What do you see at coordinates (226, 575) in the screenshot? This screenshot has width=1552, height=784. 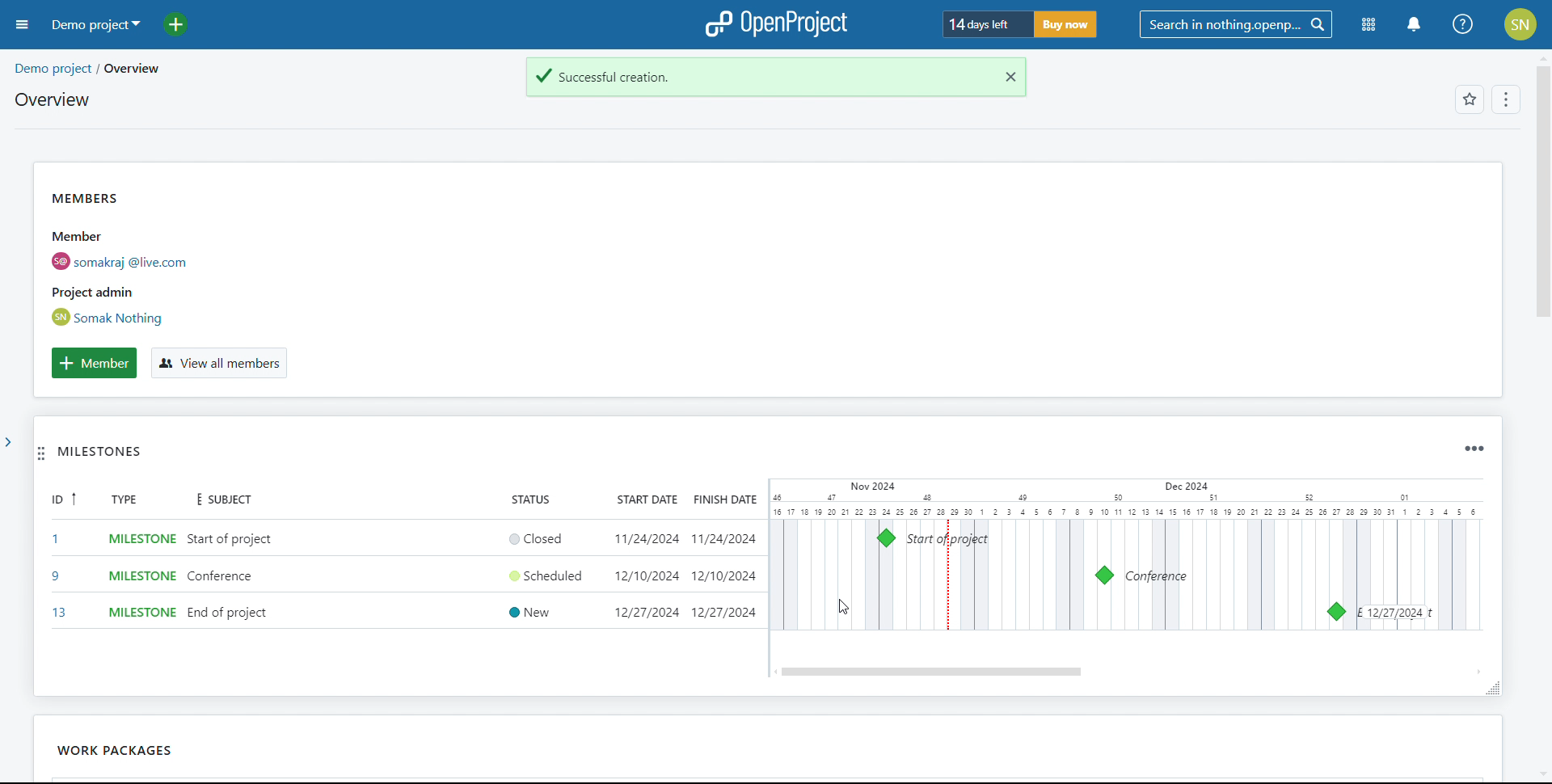 I see `add subject` at bounding box center [226, 575].